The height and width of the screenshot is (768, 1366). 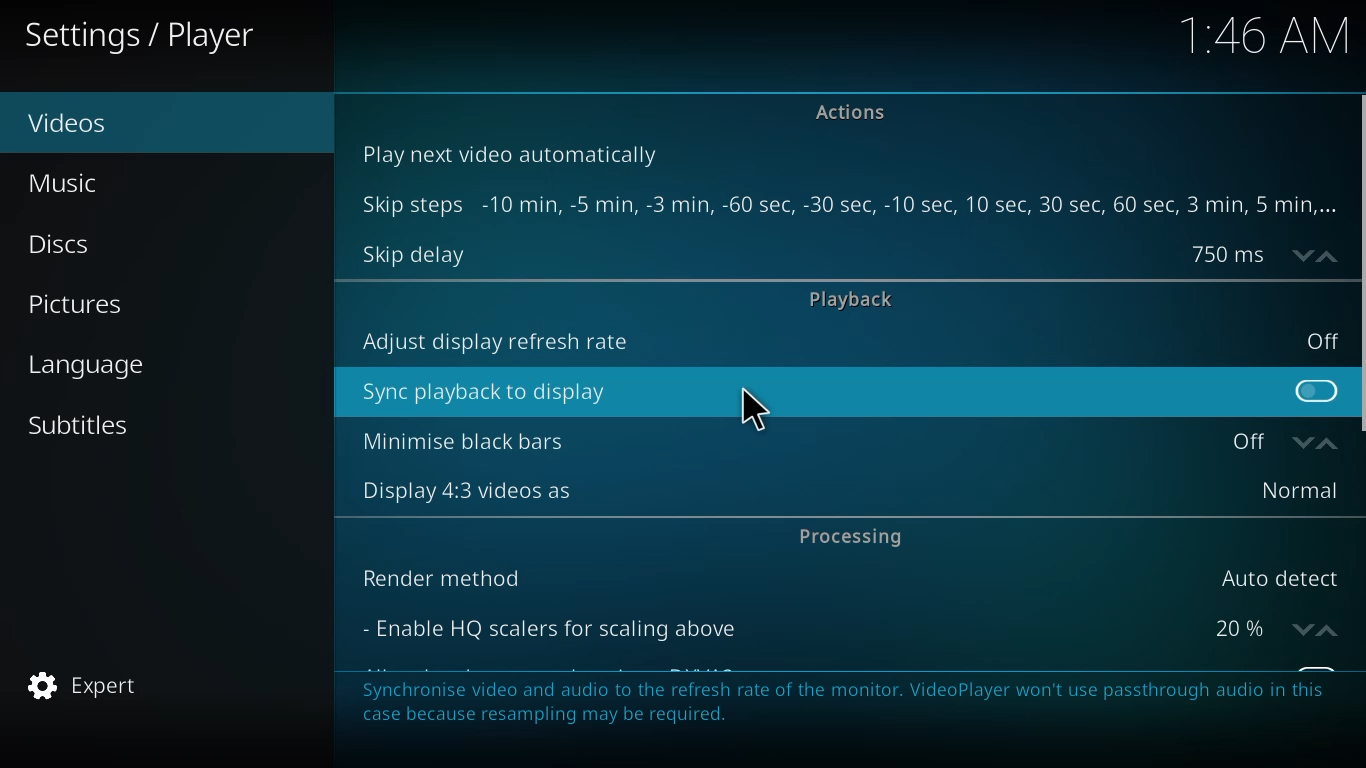 What do you see at coordinates (87, 683) in the screenshot?
I see `expert` at bounding box center [87, 683].